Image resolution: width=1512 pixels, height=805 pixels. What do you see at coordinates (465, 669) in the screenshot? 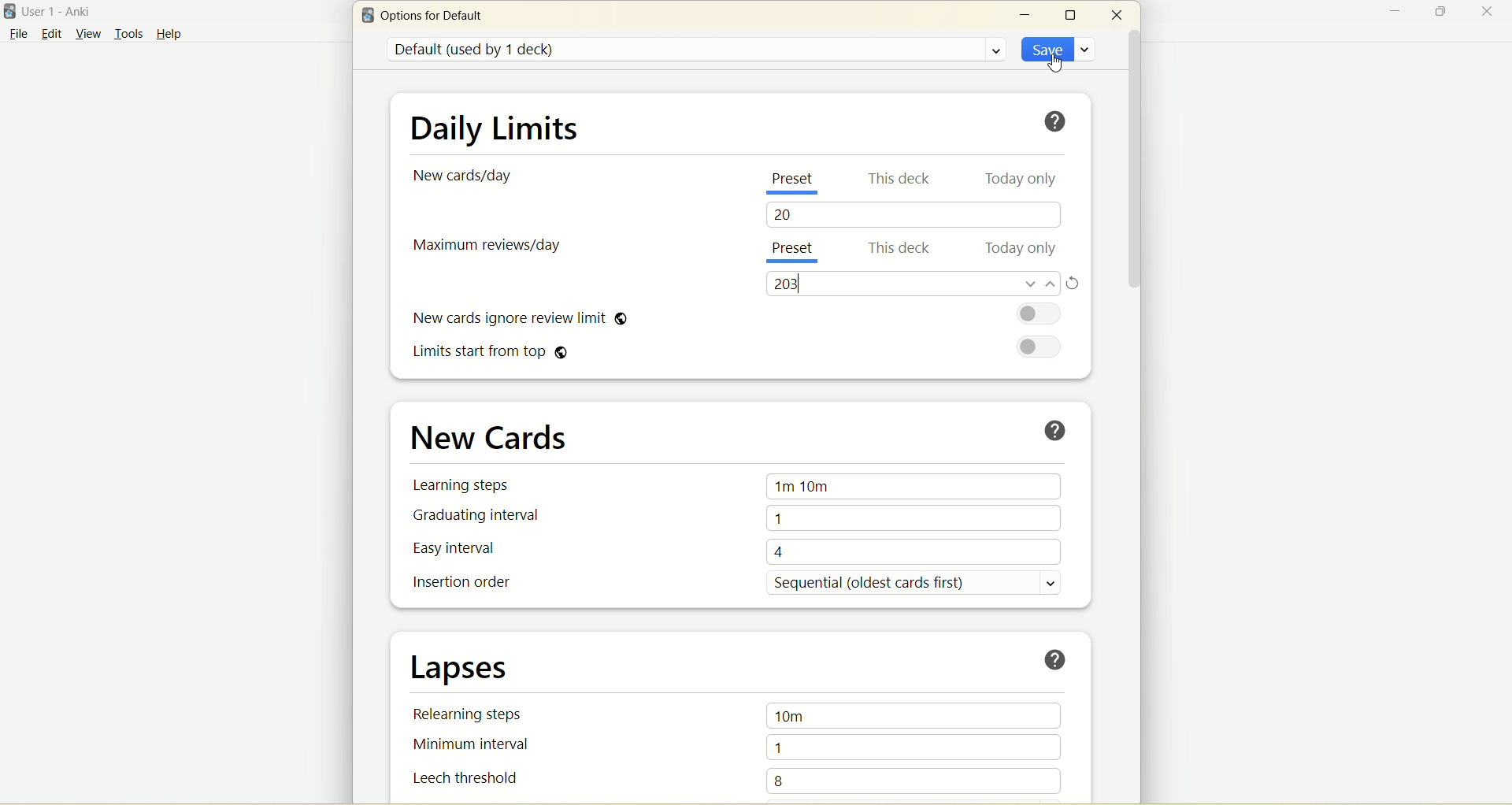
I see `lapses` at bounding box center [465, 669].